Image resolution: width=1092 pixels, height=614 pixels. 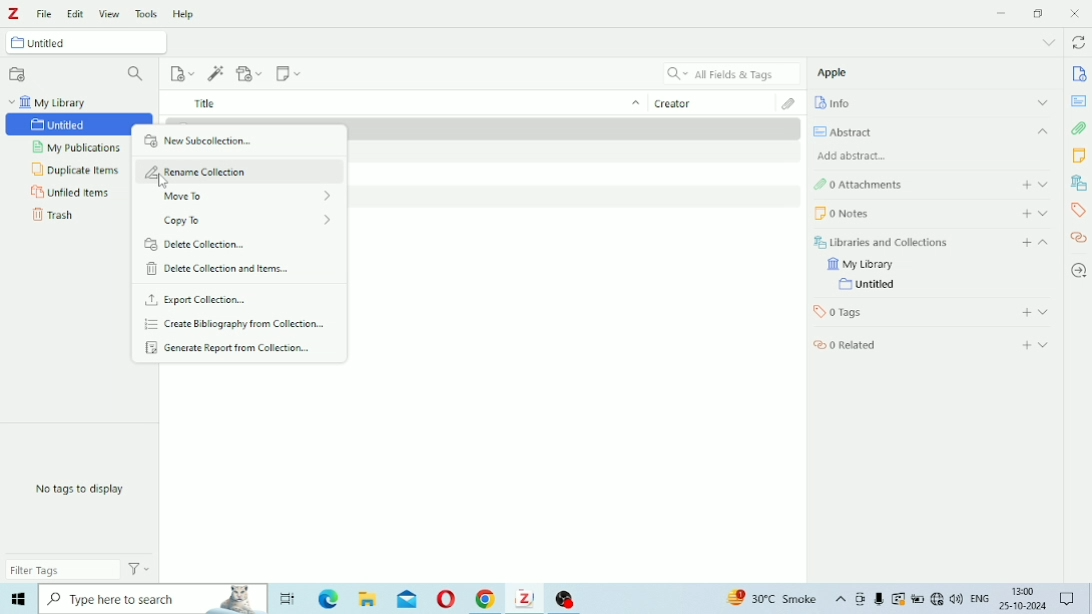 I want to click on Create Bbacgraphy from Colecton, so click(x=237, y=325).